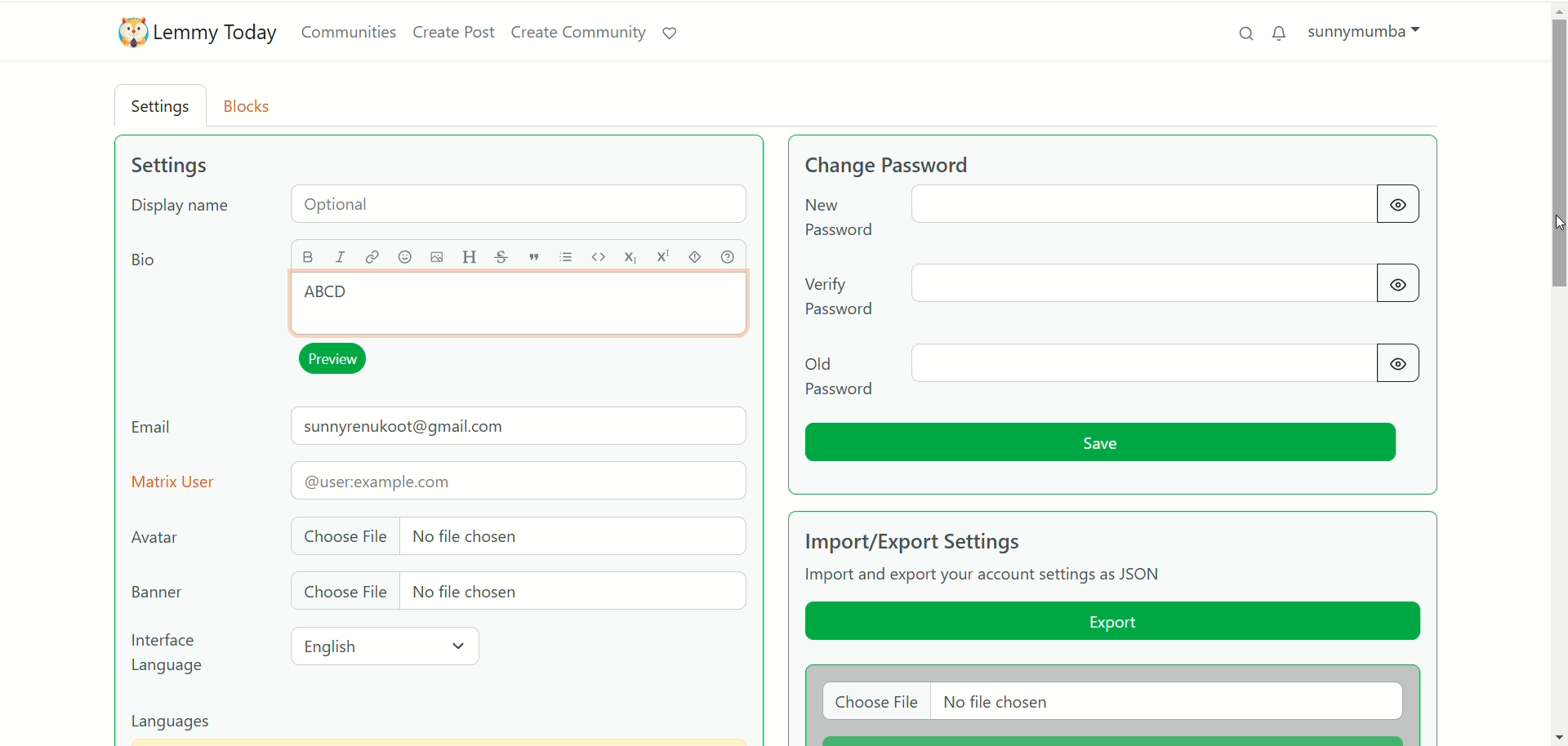 The height and width of the screenshot is (746, 1568). I want to click on code, so click(600, 255).